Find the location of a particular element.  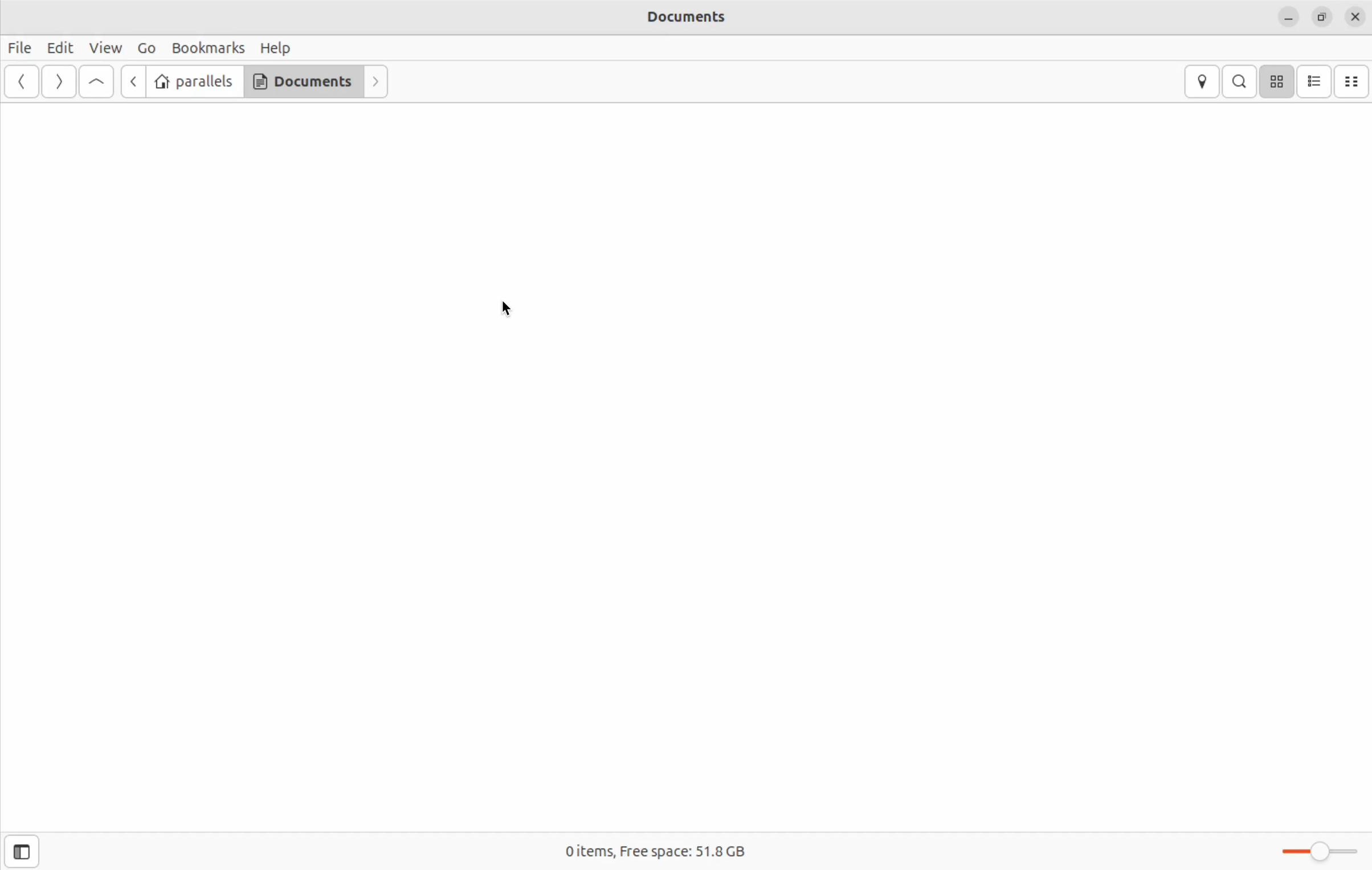

list view is located at coordinates (1315, 81).